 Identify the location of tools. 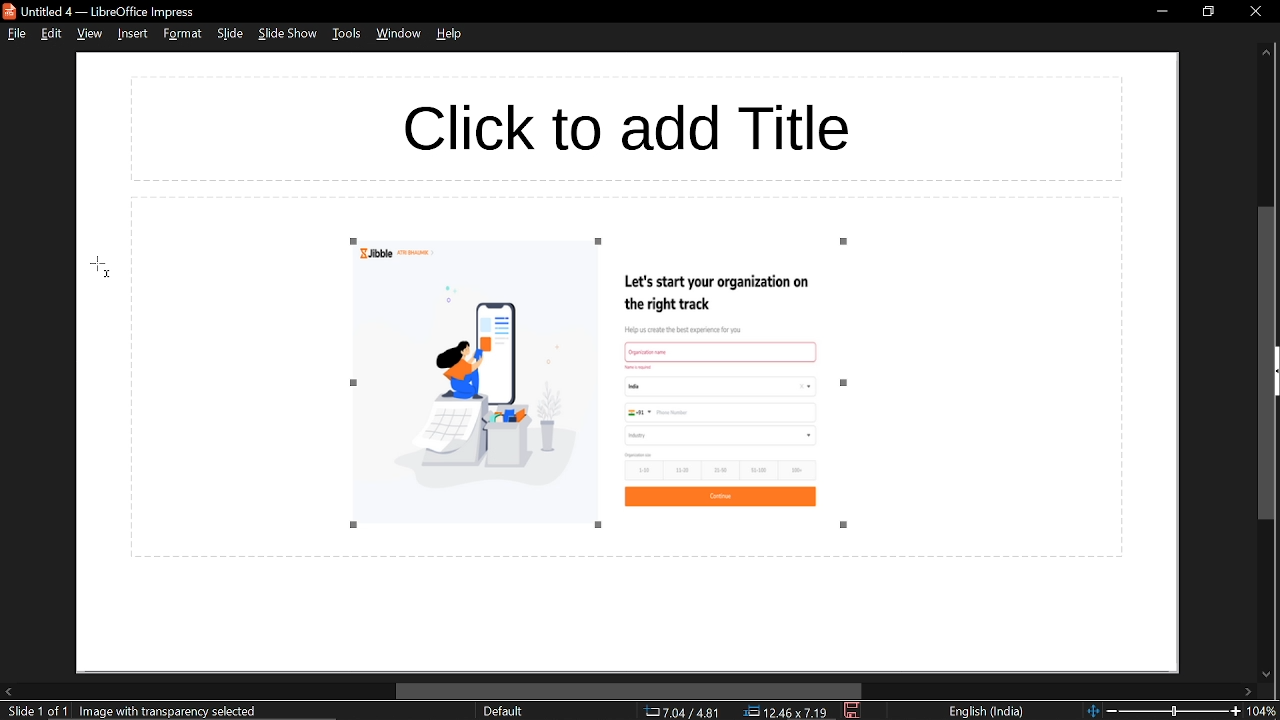
(345, 37).